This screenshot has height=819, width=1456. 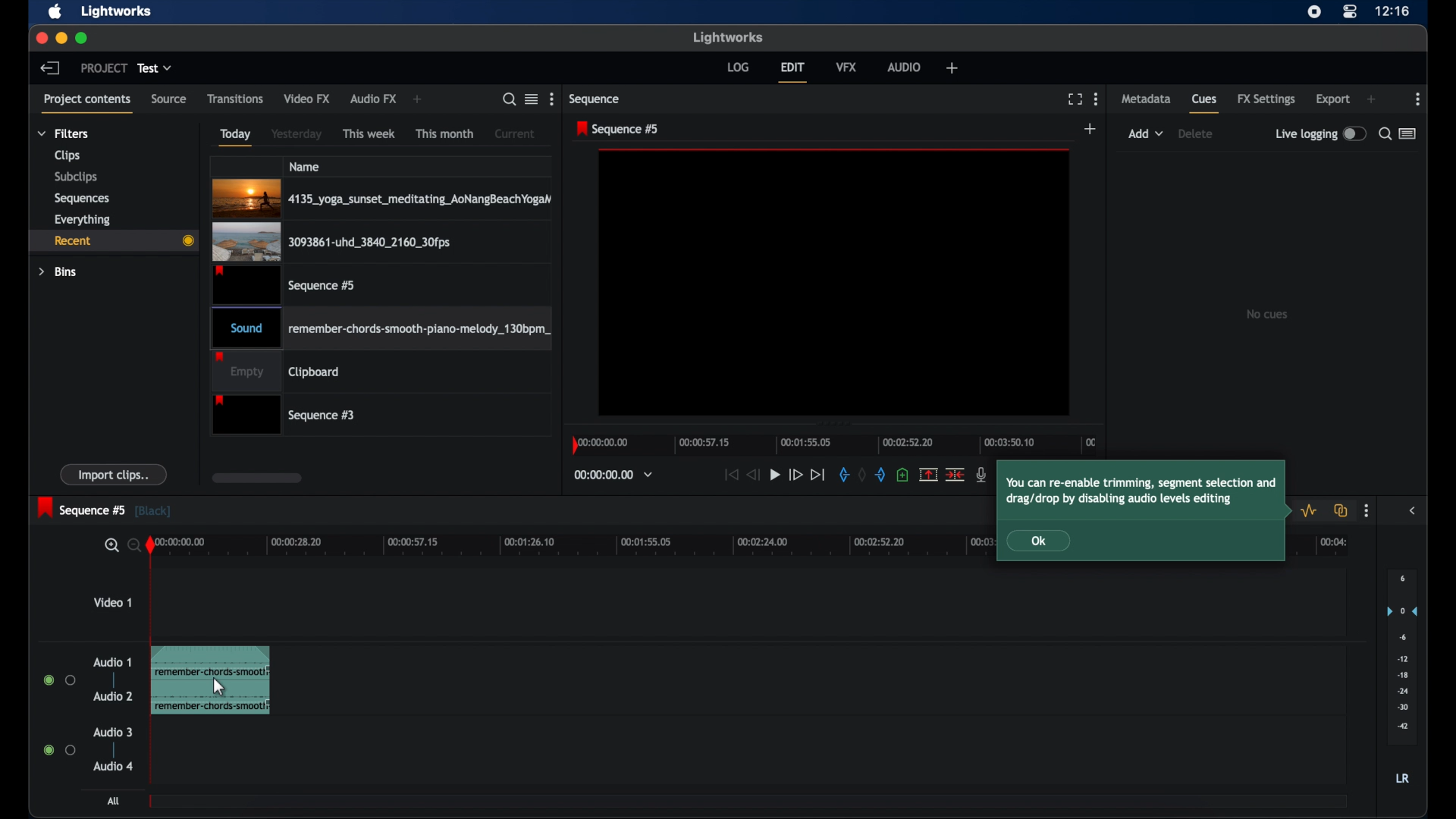 What do you see at coordinates (1401, 655) in the screenshot?
I see `audio output levels` at bounding box center [1401, 655].